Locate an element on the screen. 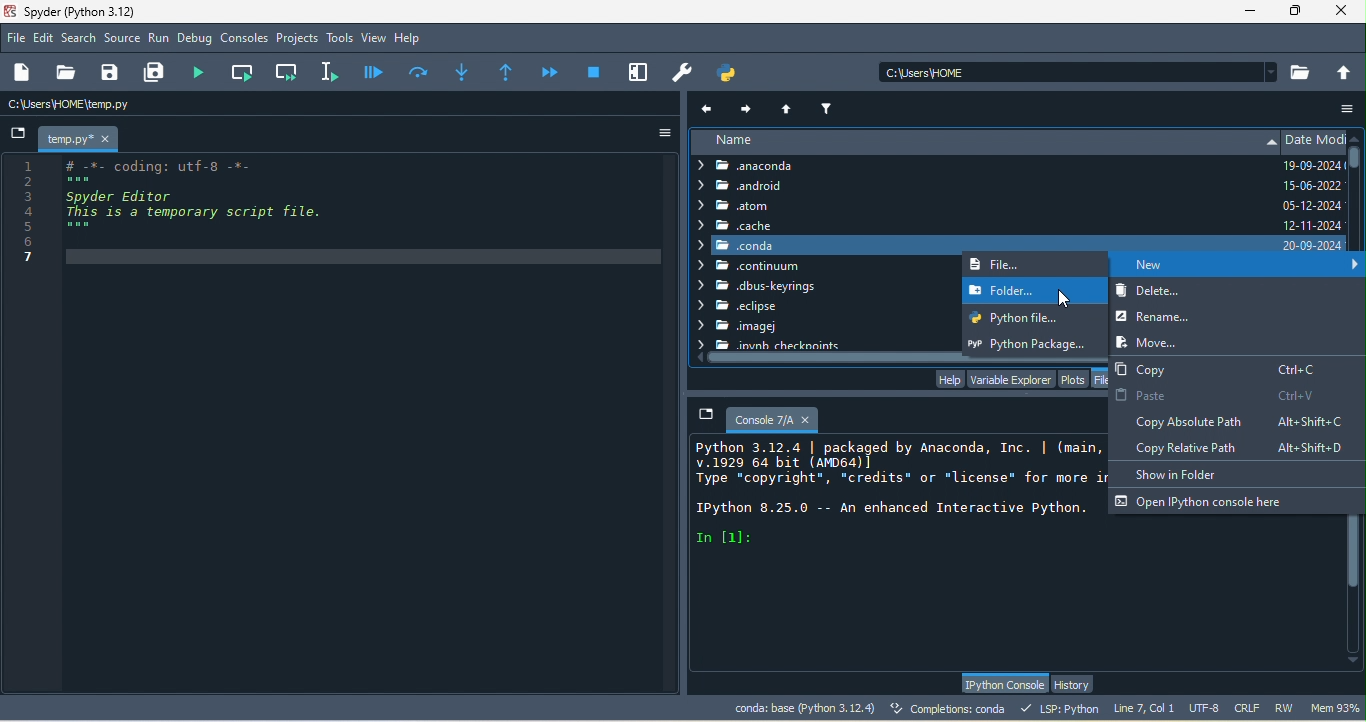 The width and height of the screenshot is (1366, 722). current line is located at coordinates (333, 71).